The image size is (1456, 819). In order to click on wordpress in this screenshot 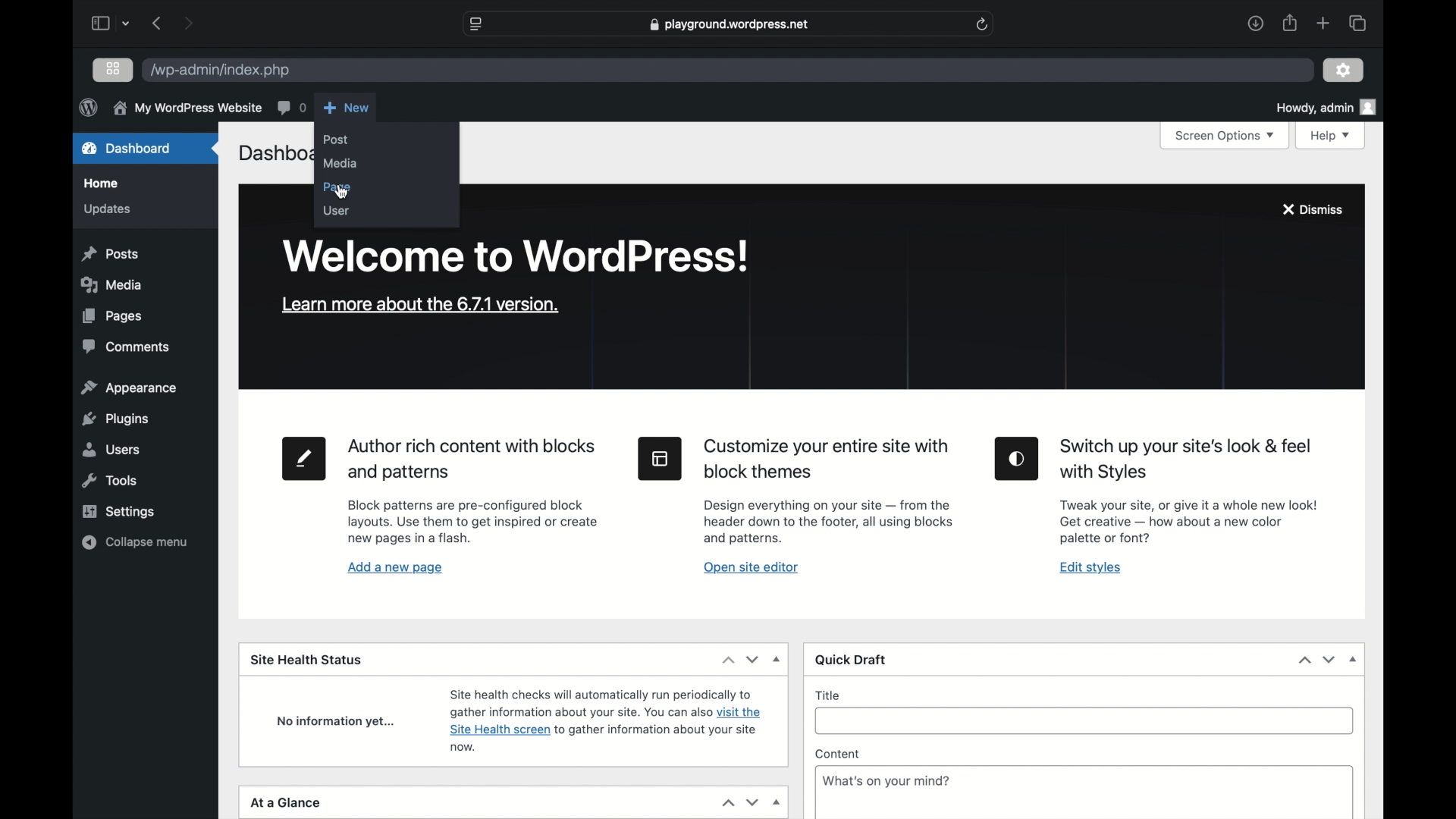, I will do `click(88, 107)`.